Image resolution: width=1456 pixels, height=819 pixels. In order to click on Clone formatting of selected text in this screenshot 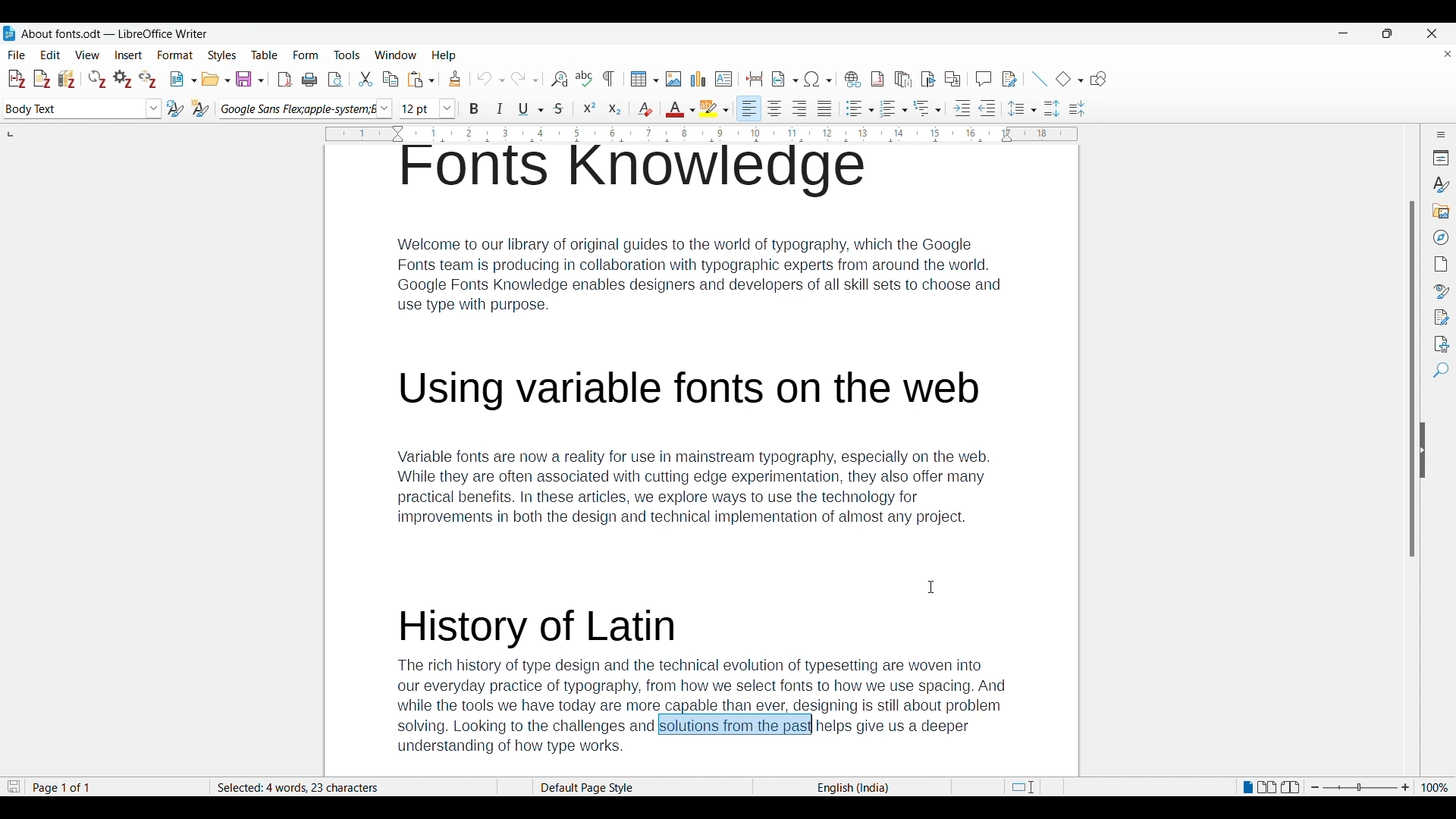, I will do `click(455, 79)`.